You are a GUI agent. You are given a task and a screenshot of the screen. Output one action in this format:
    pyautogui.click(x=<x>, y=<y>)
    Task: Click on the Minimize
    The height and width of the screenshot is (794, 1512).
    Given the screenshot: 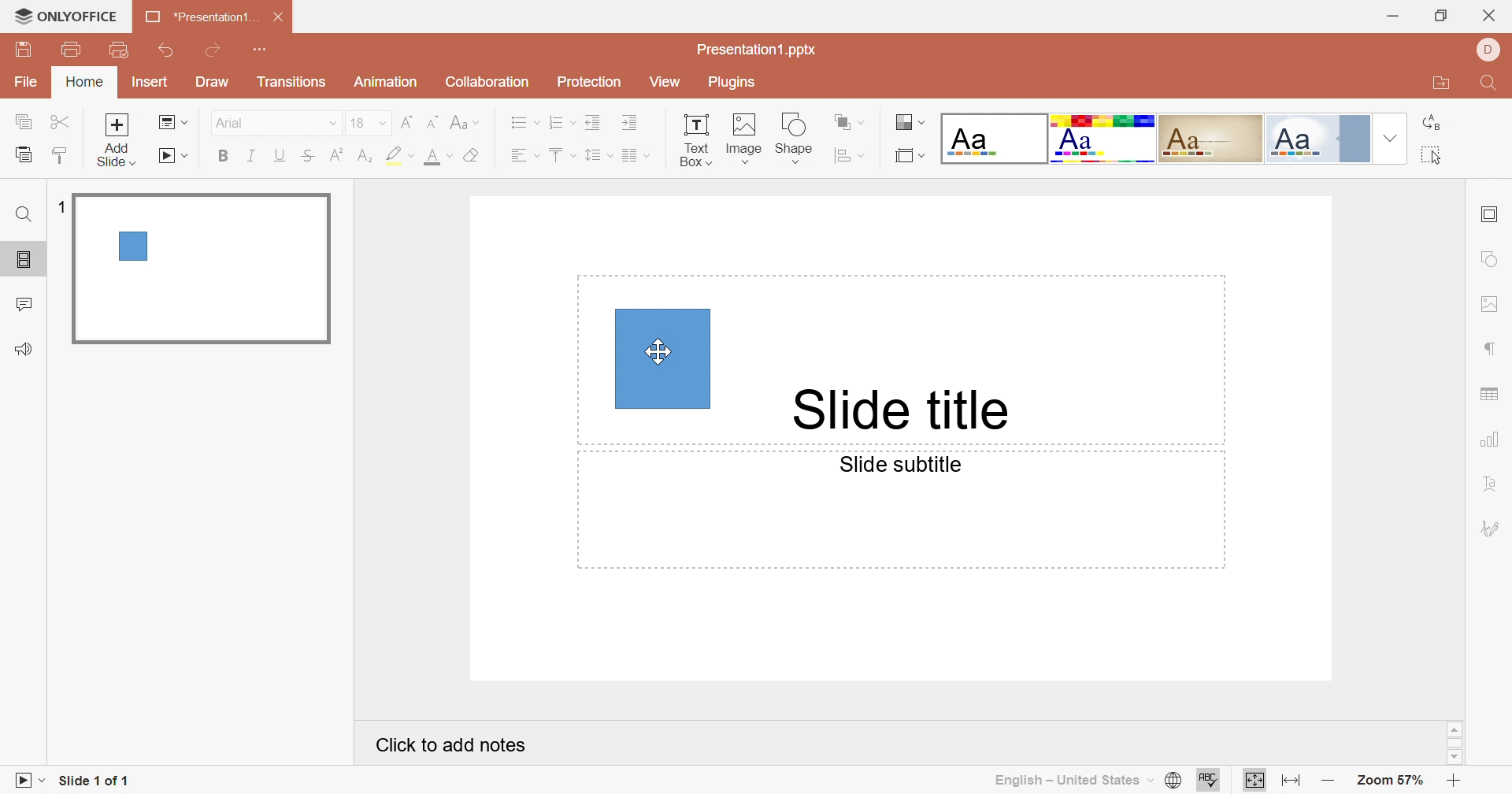 What is the action you would take?
    pyautogui.click(x=1392, y=17)
    